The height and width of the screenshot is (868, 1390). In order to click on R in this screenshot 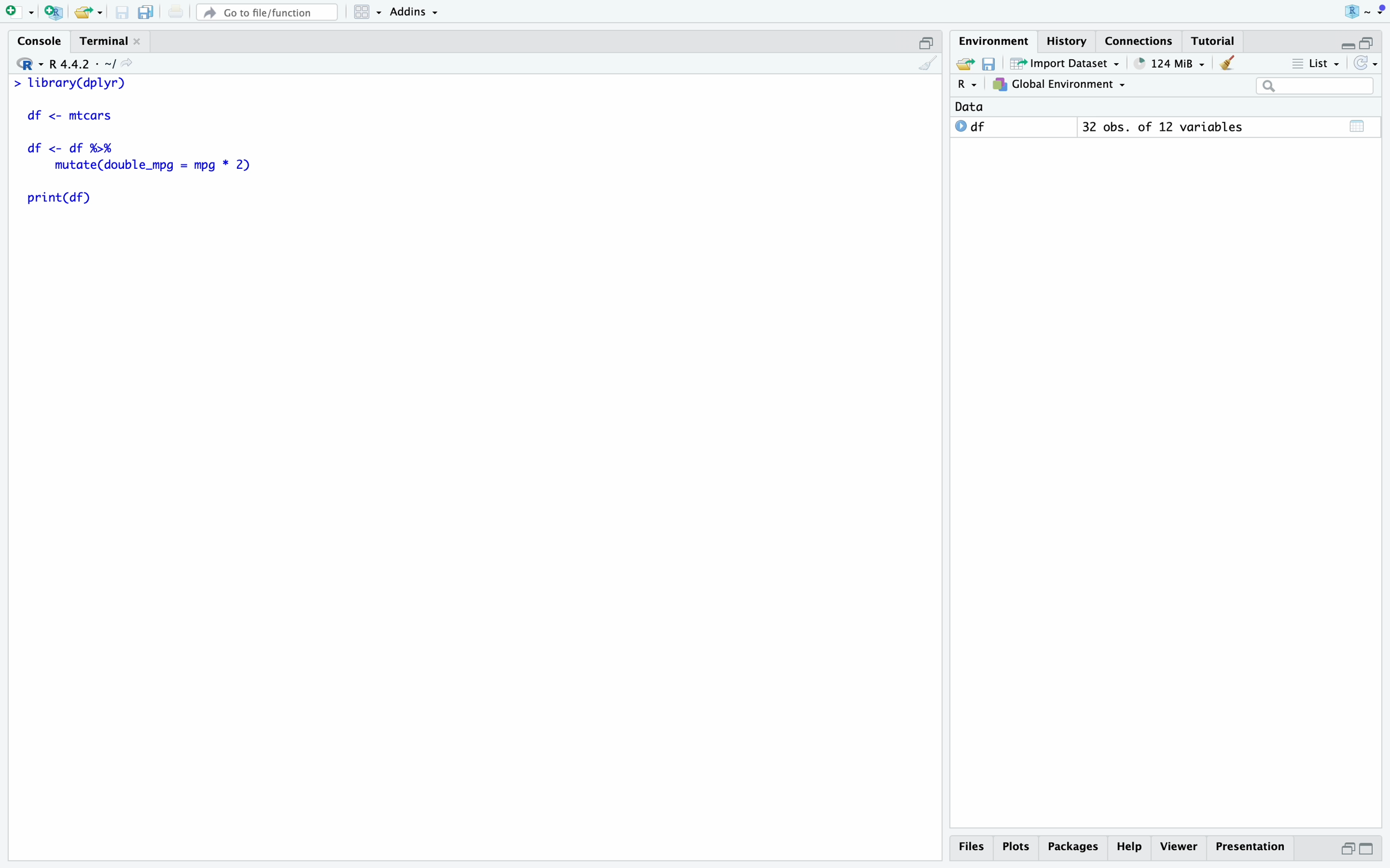, I will do `click(969, 84)`.